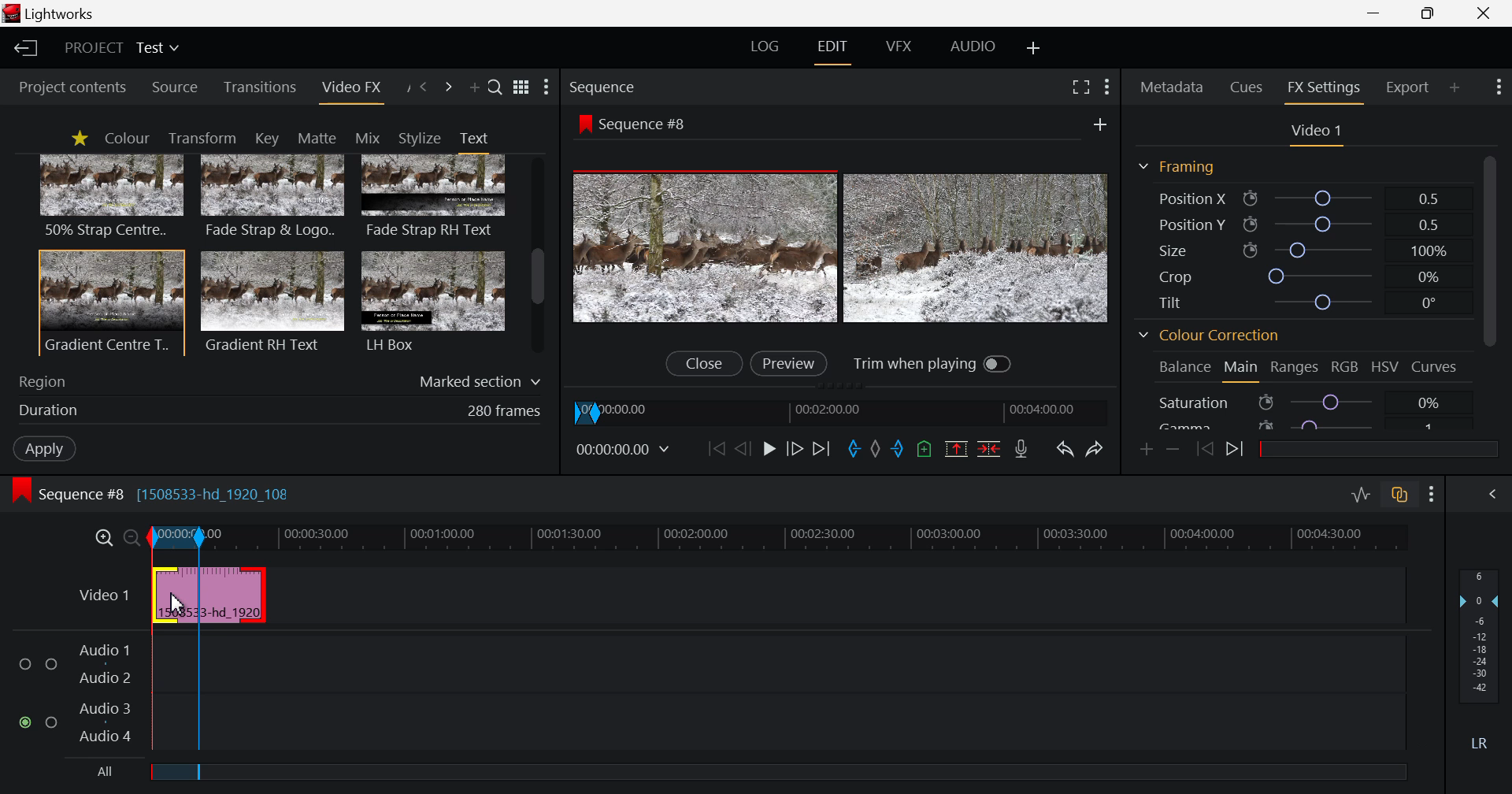 This screenshot has width=1512, height=794. I want to click on Mark Cue, so click(925, 450).